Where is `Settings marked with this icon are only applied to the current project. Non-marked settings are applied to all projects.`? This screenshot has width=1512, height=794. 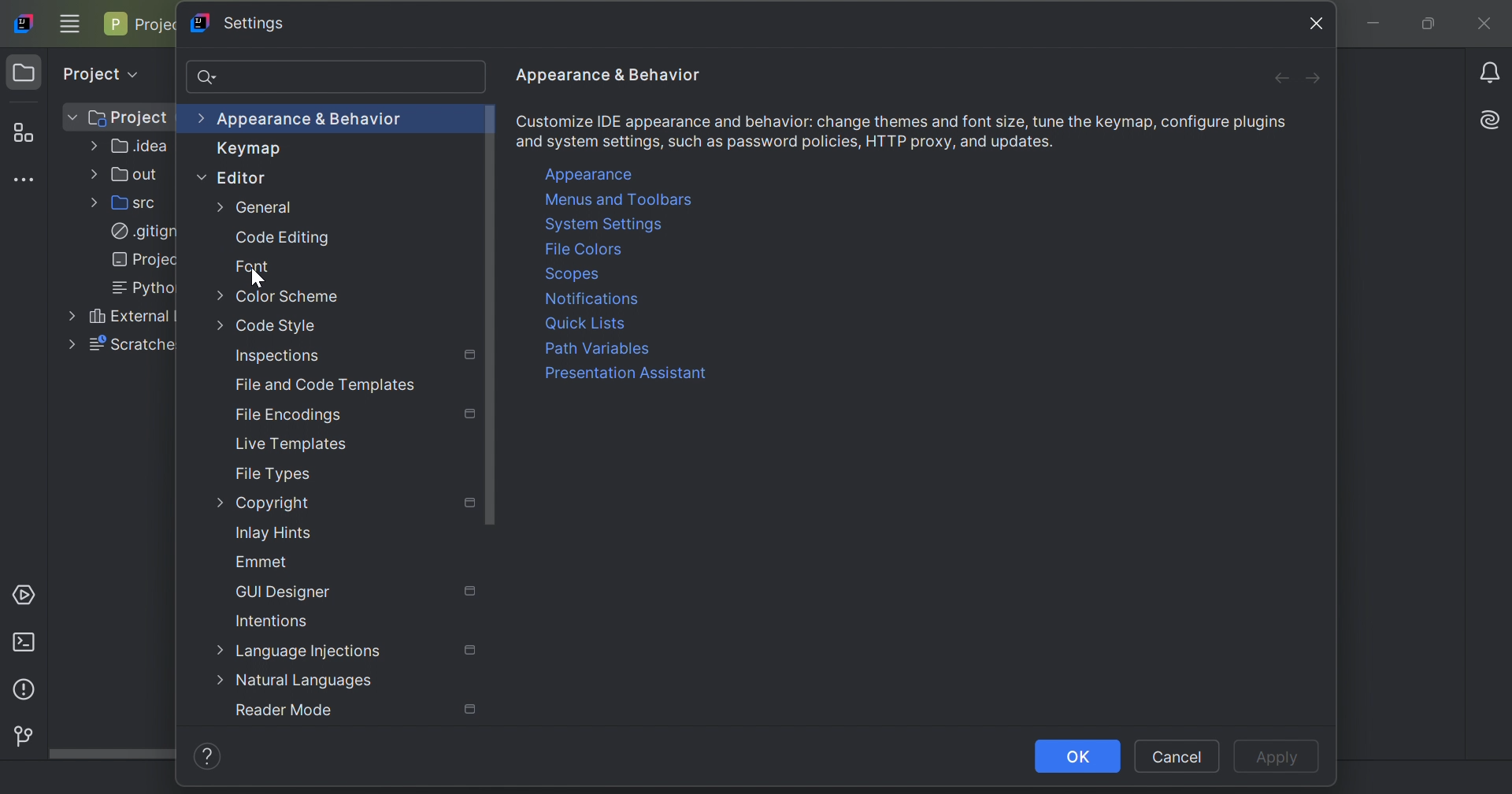
Settings marked with this icon are only applied to the current project. Non-marked settings are applied to all projects. is located at coordinates (471, 358).